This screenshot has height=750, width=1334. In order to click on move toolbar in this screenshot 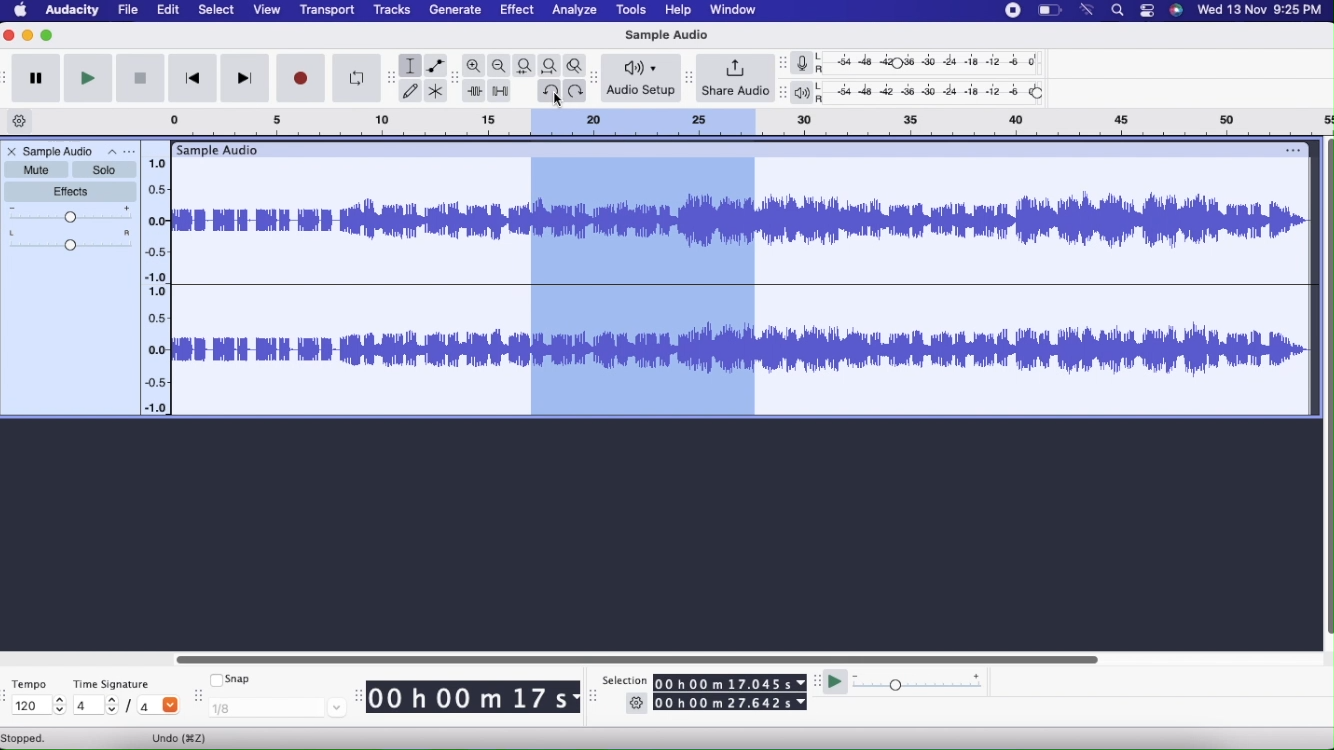, I will do `click(783, 63)`.